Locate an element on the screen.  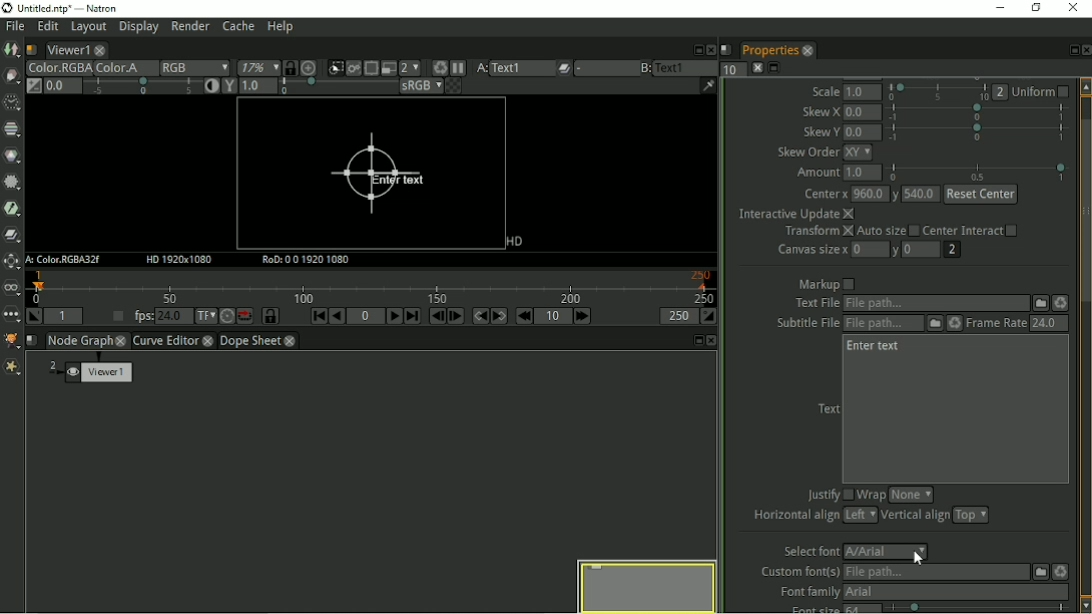
A is located at coordinates (480, 68).